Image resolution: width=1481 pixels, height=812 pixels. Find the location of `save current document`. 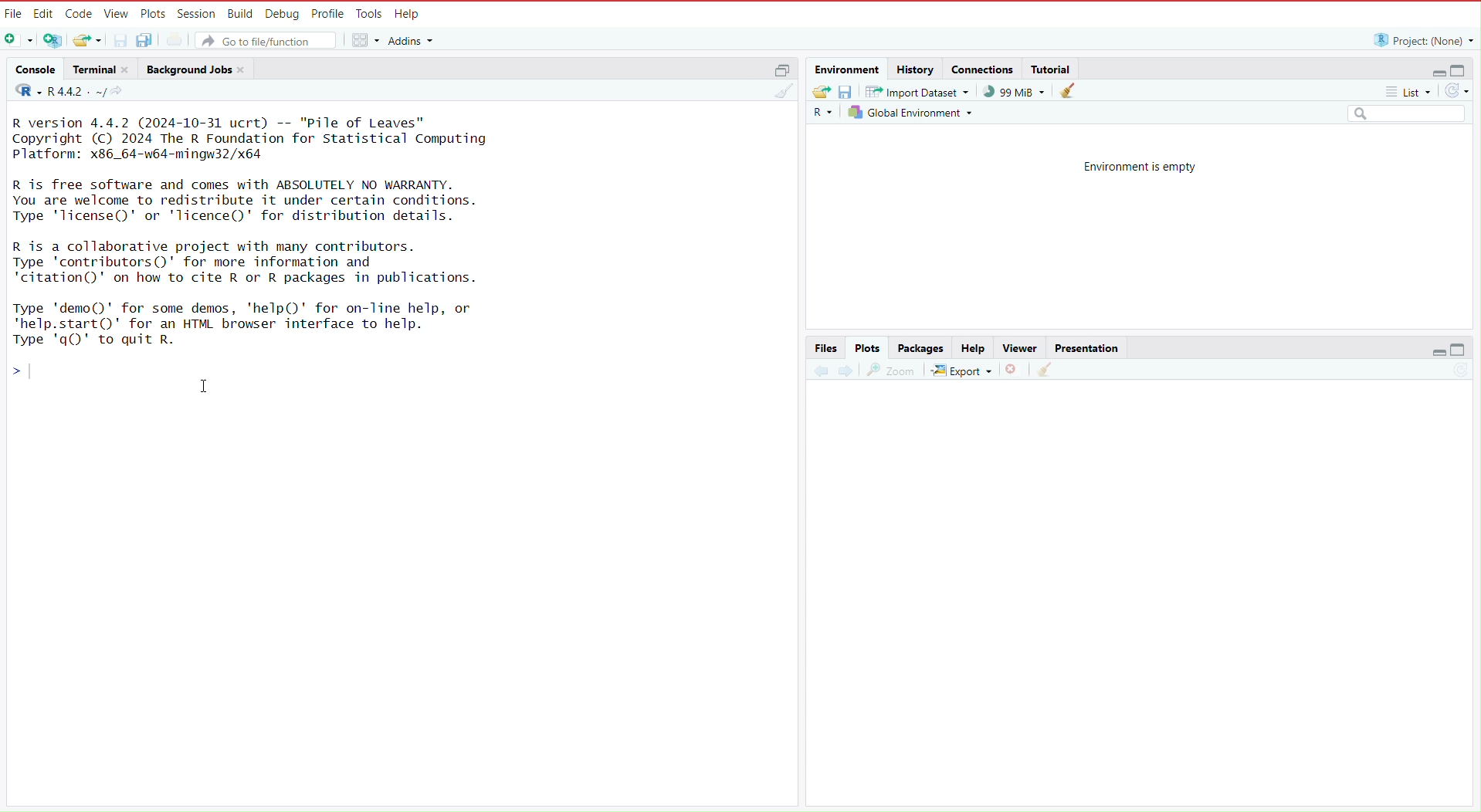

save current document is located at coordinates (121, 40).